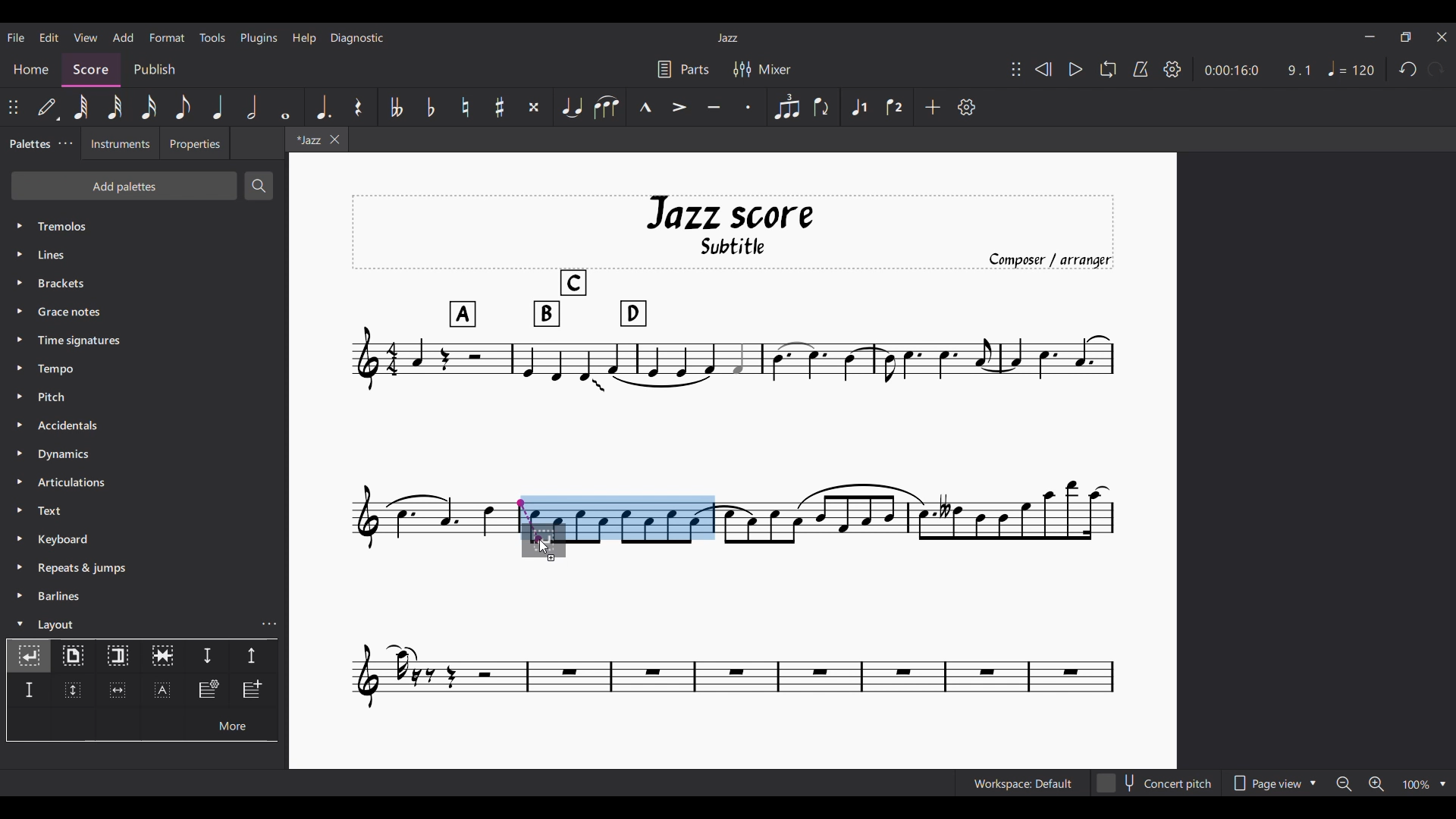 The height and width of the screenshot is (819, 1456). What do you see at coordinates (734, 635) in the screenshot?
I see `Current score` at bounding box center [734, 635].